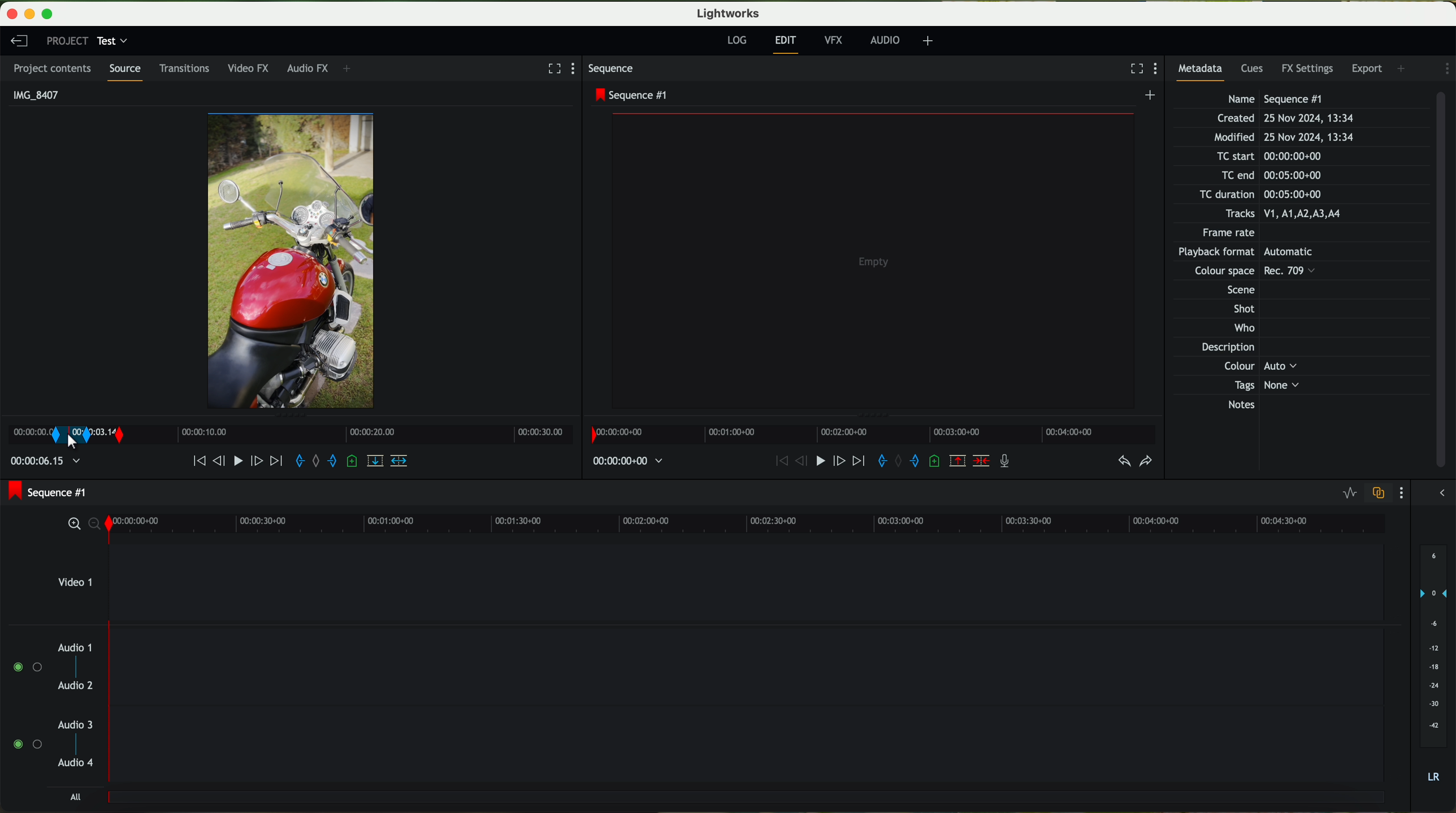 This screenshot has width=1456, height=813. I want to click on audio 4, so click(76, 766).